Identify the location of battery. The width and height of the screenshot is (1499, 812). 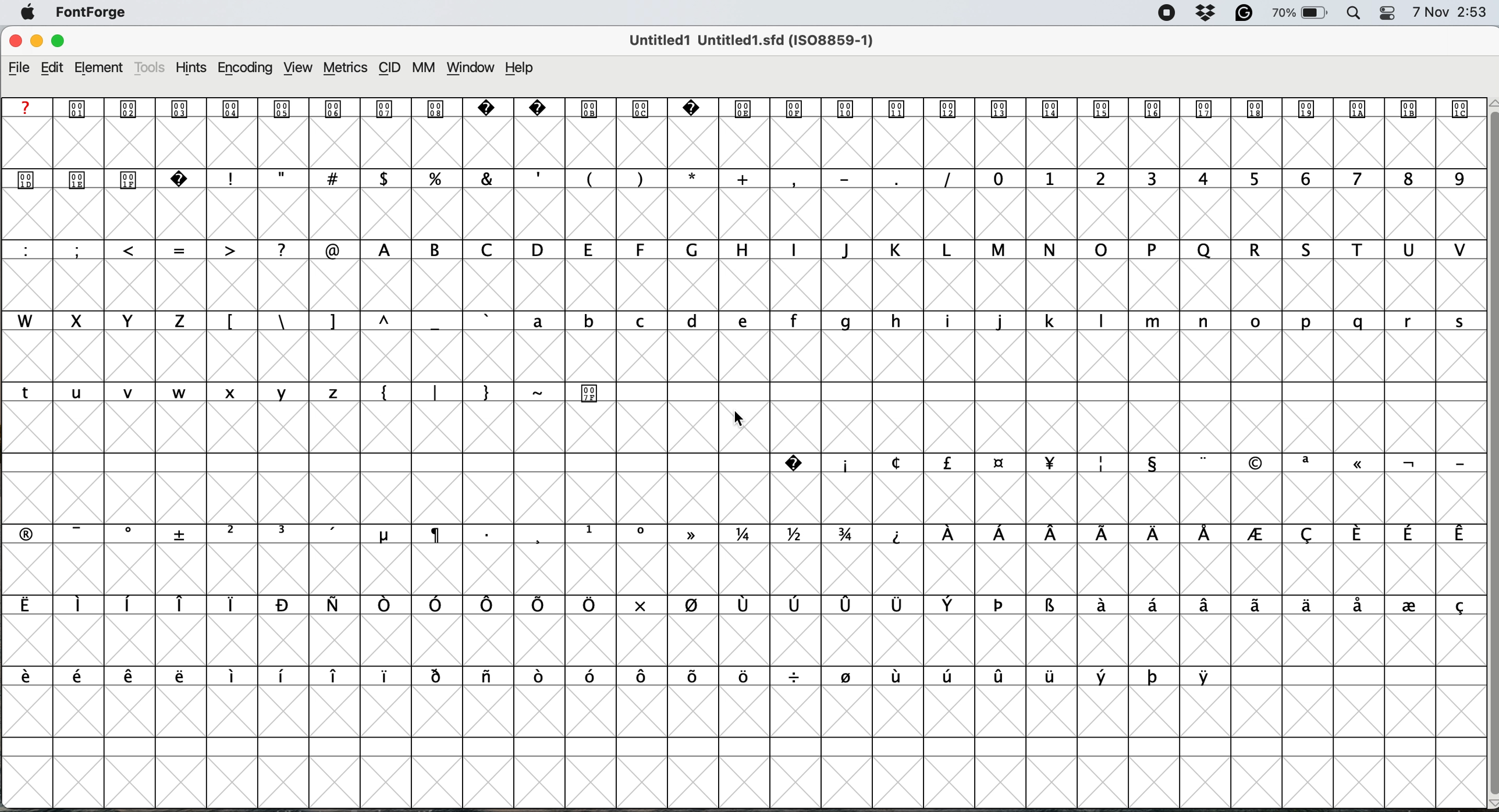
(1302, 13).